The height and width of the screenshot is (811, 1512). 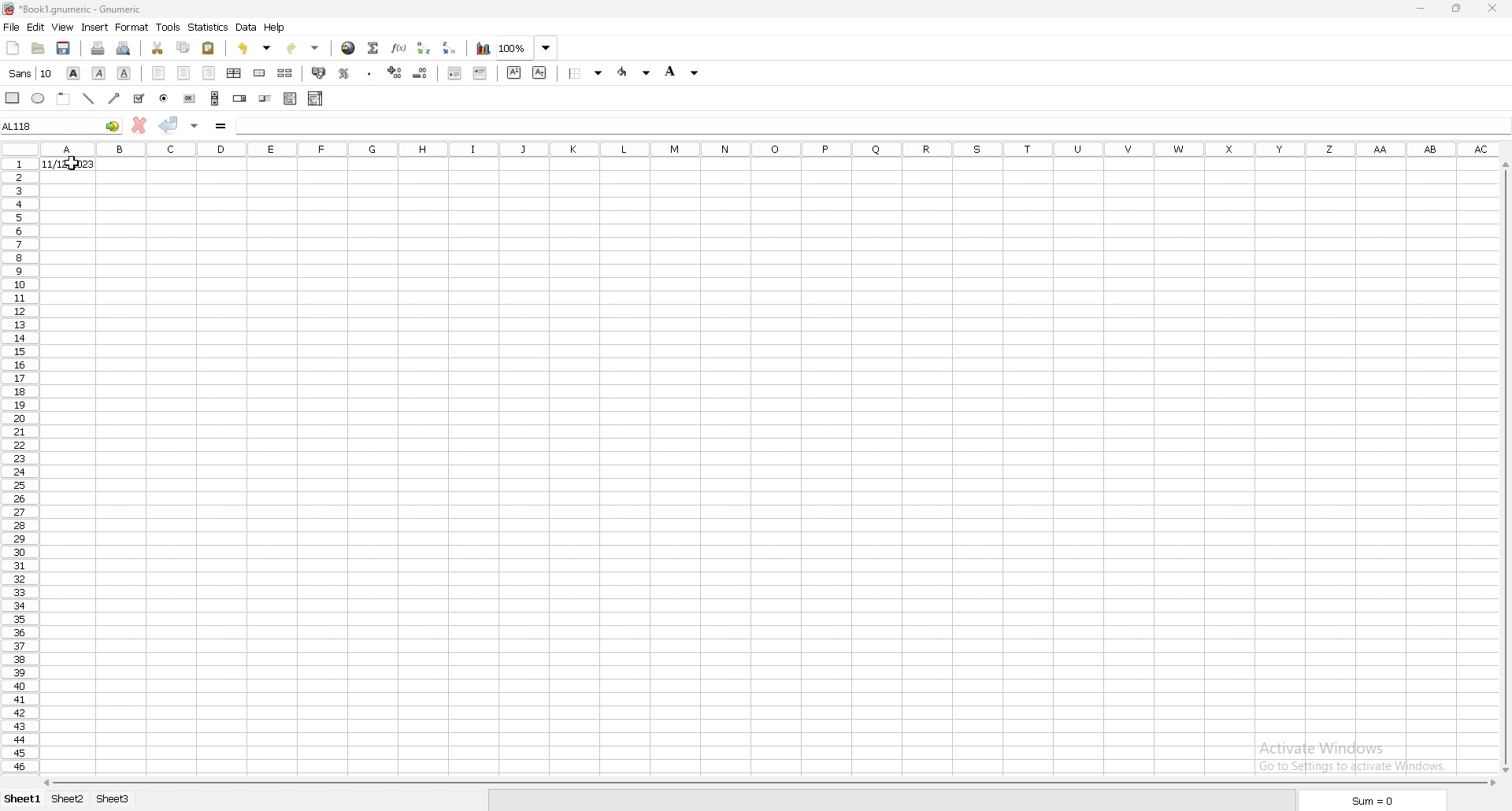 I want to click on foreground, so click(x=635, y=72).